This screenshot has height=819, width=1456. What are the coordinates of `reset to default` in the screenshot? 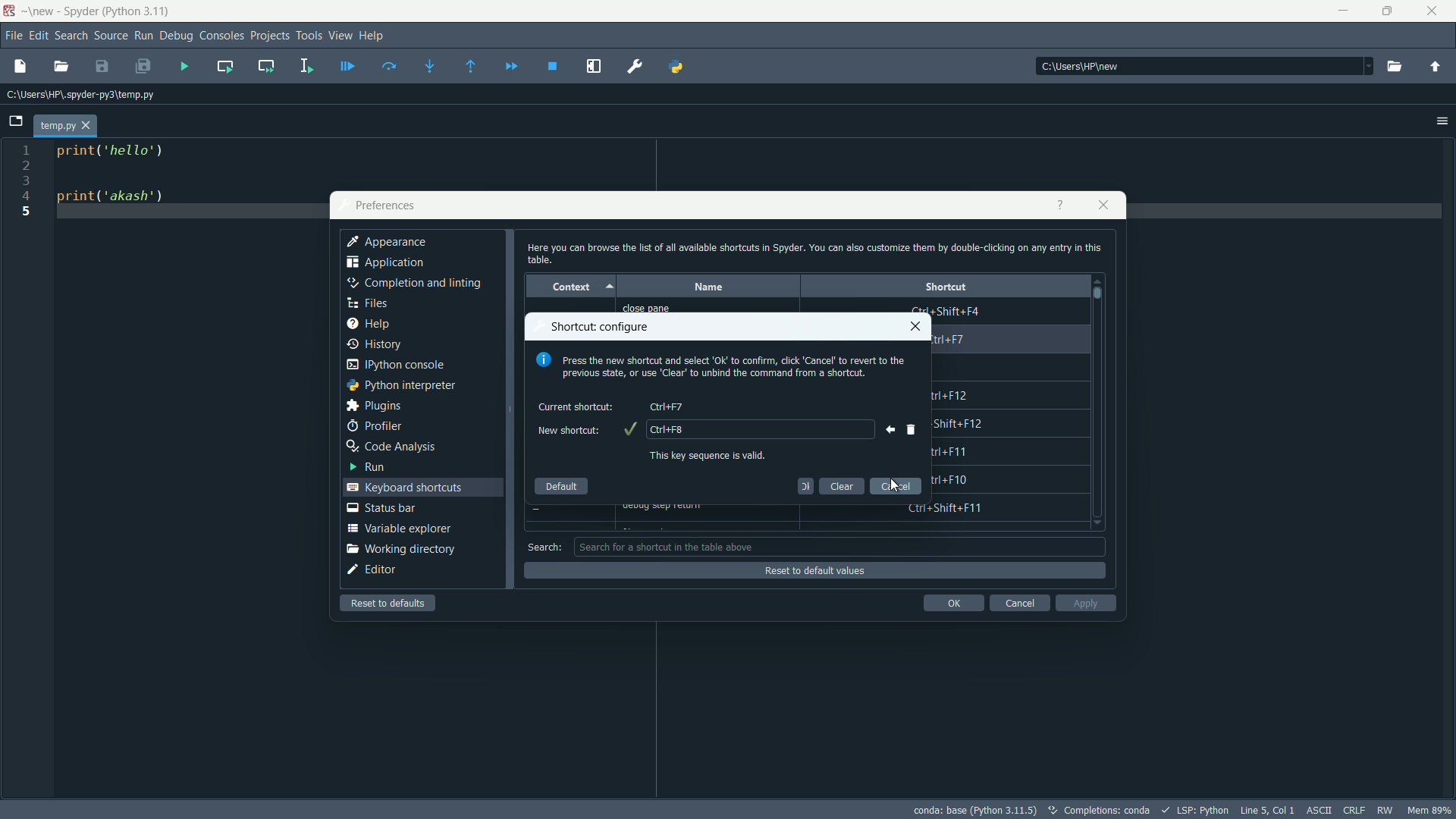 It's located at (390, 603).